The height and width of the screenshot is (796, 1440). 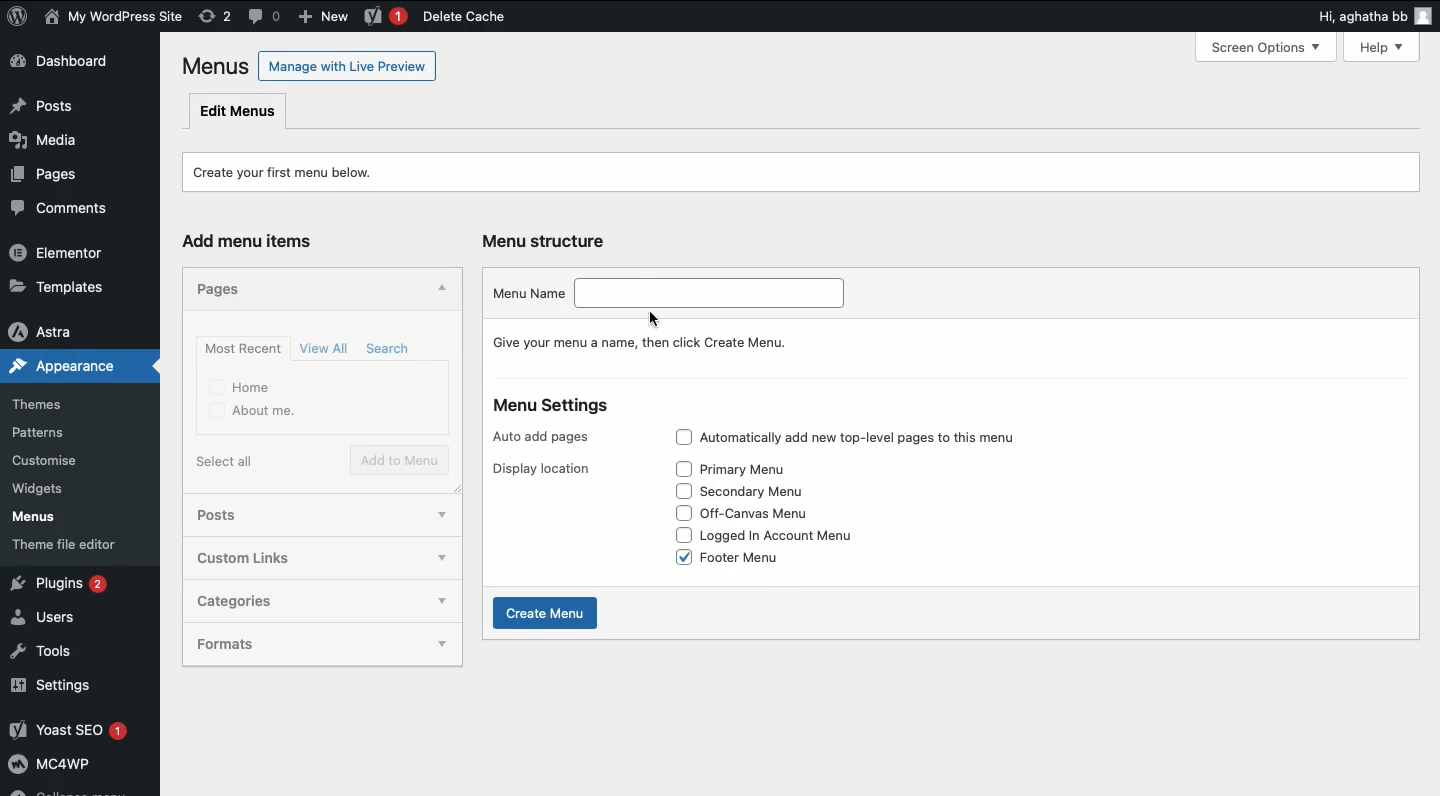 What do you see at coordinates (1386, 45) in the screenshot?
I see `Help` at bounding box center [1386, 45].